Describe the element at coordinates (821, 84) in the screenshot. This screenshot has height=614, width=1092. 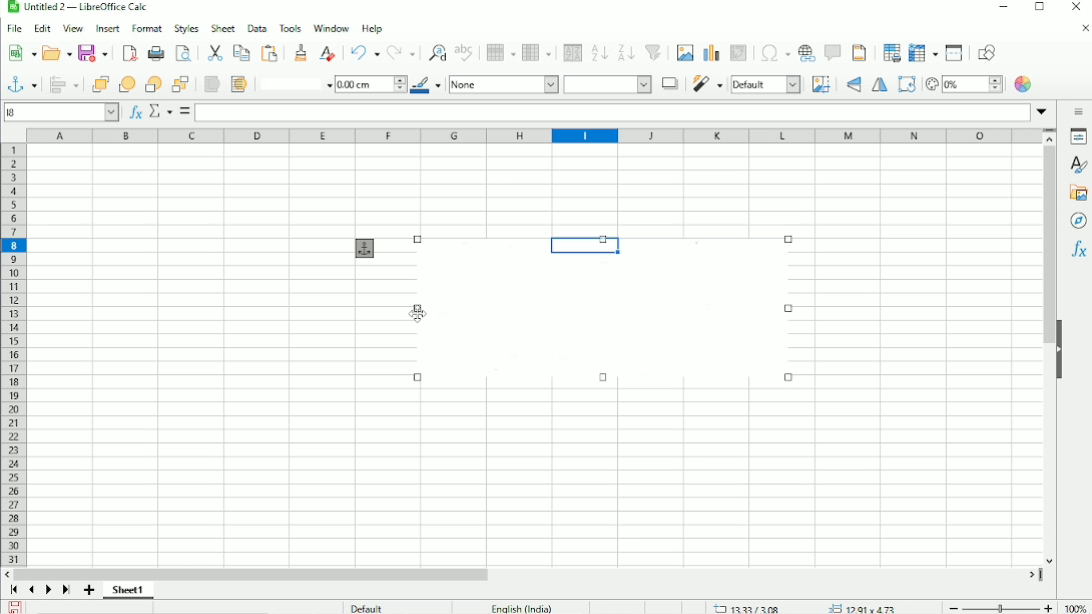
I see `Crop image` at that location.